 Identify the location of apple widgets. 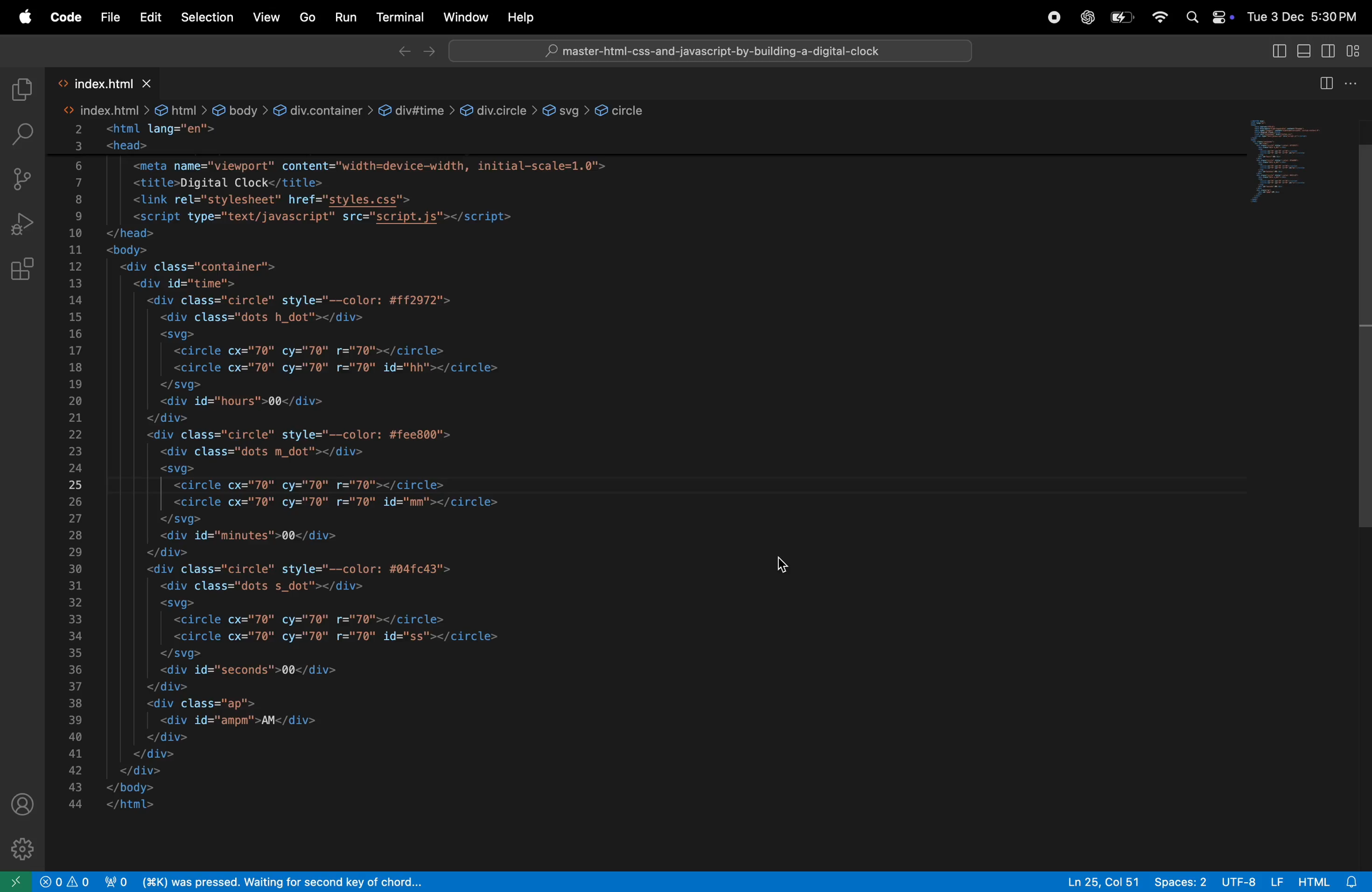
(1205, 18).